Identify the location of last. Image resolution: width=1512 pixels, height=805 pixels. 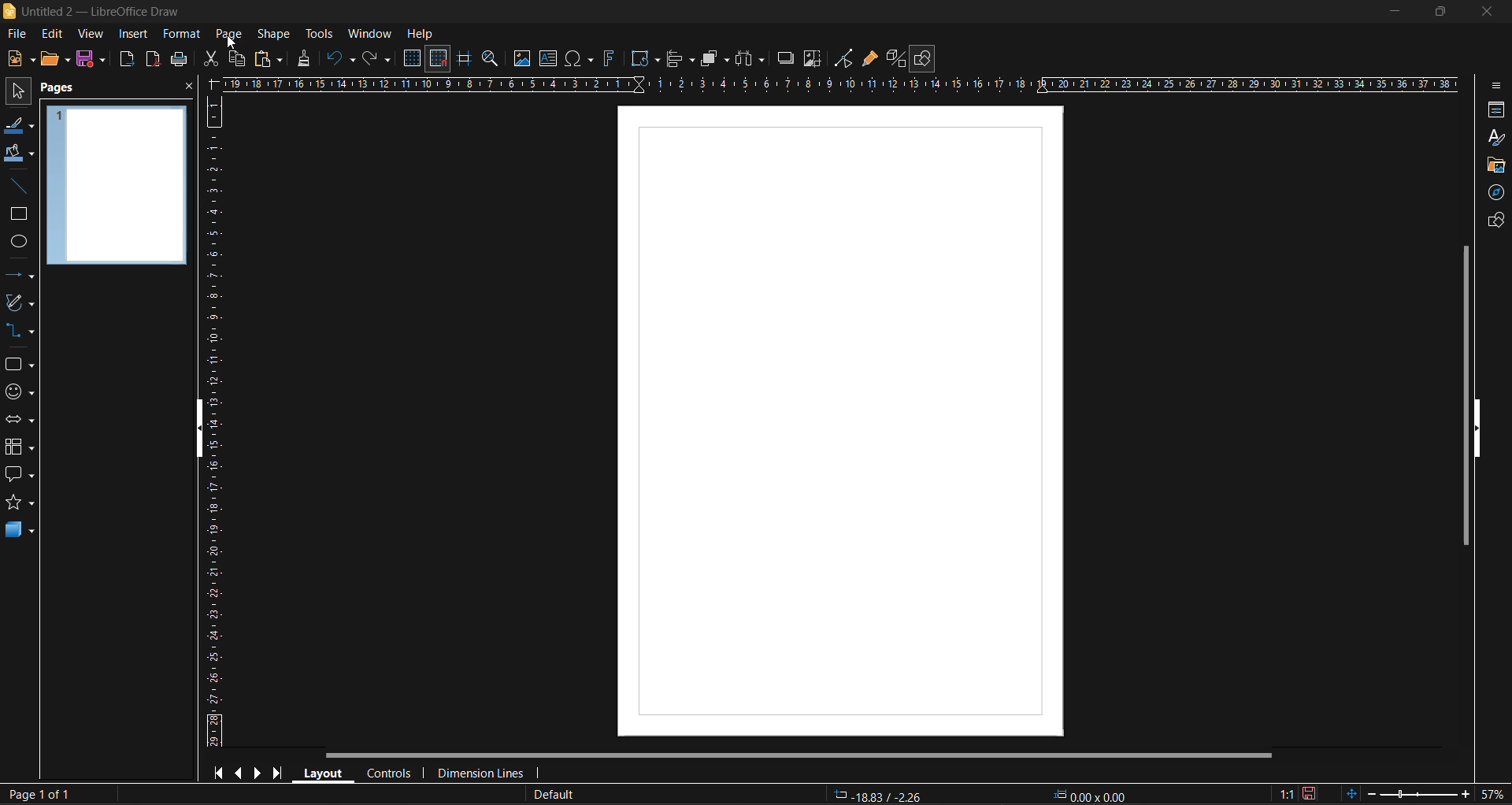
(282, 773).